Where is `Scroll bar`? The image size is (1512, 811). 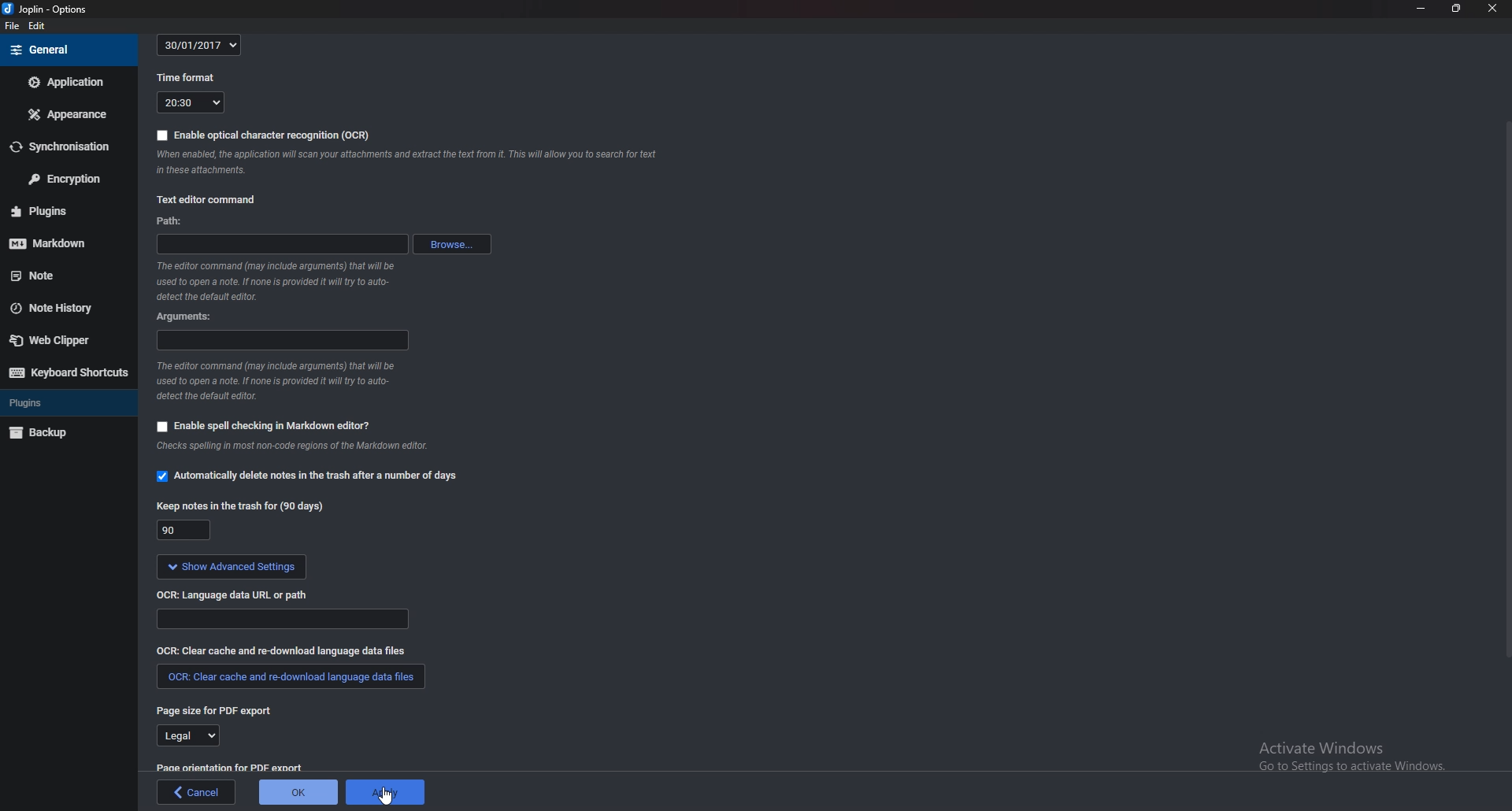
Scroll bar is located at coordinates (1505, 394).